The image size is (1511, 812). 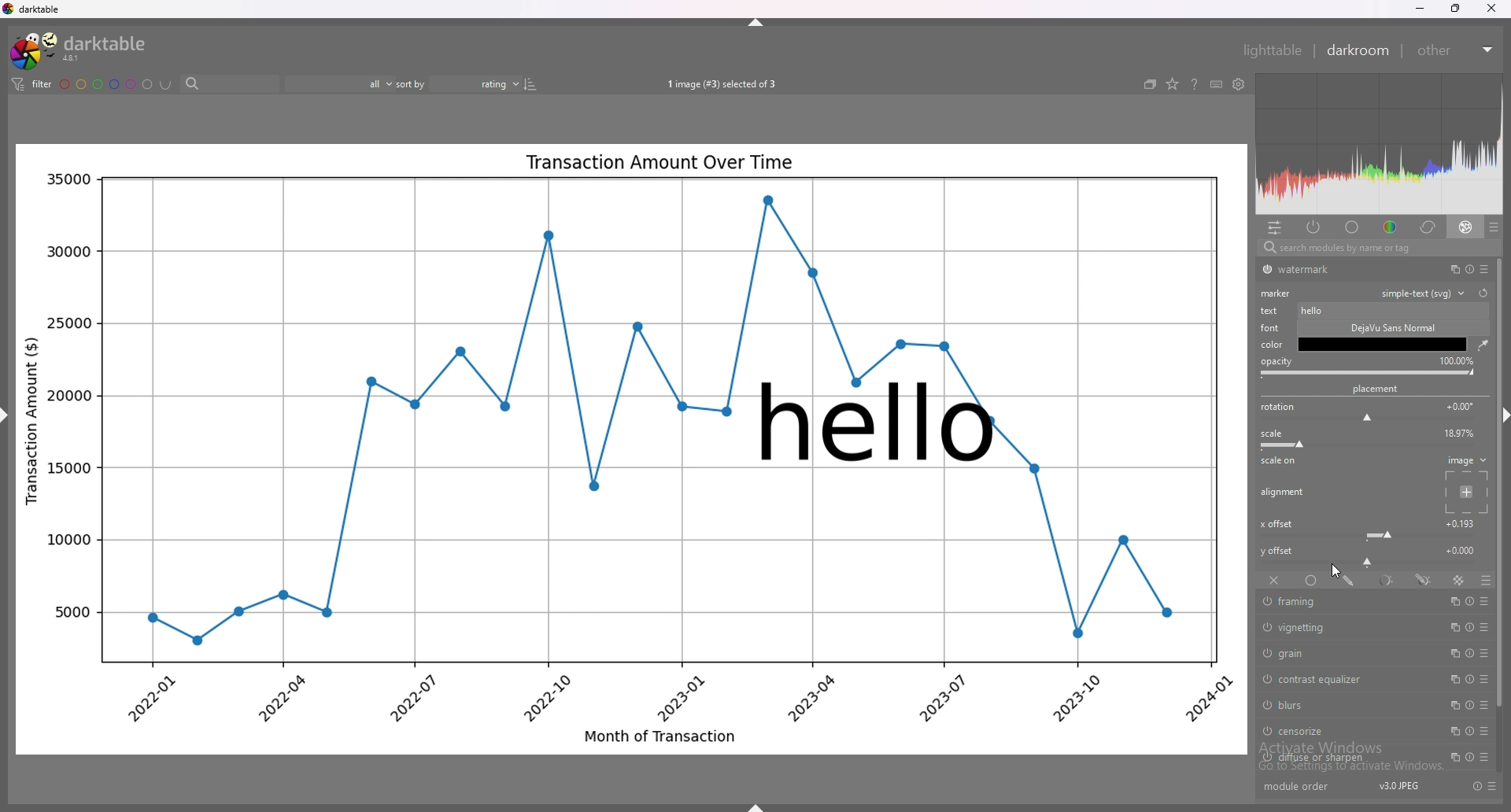 What do you see at coordinates (879, 421) in the screenshot?
I see `watermark` at bounding box center [879, 421].